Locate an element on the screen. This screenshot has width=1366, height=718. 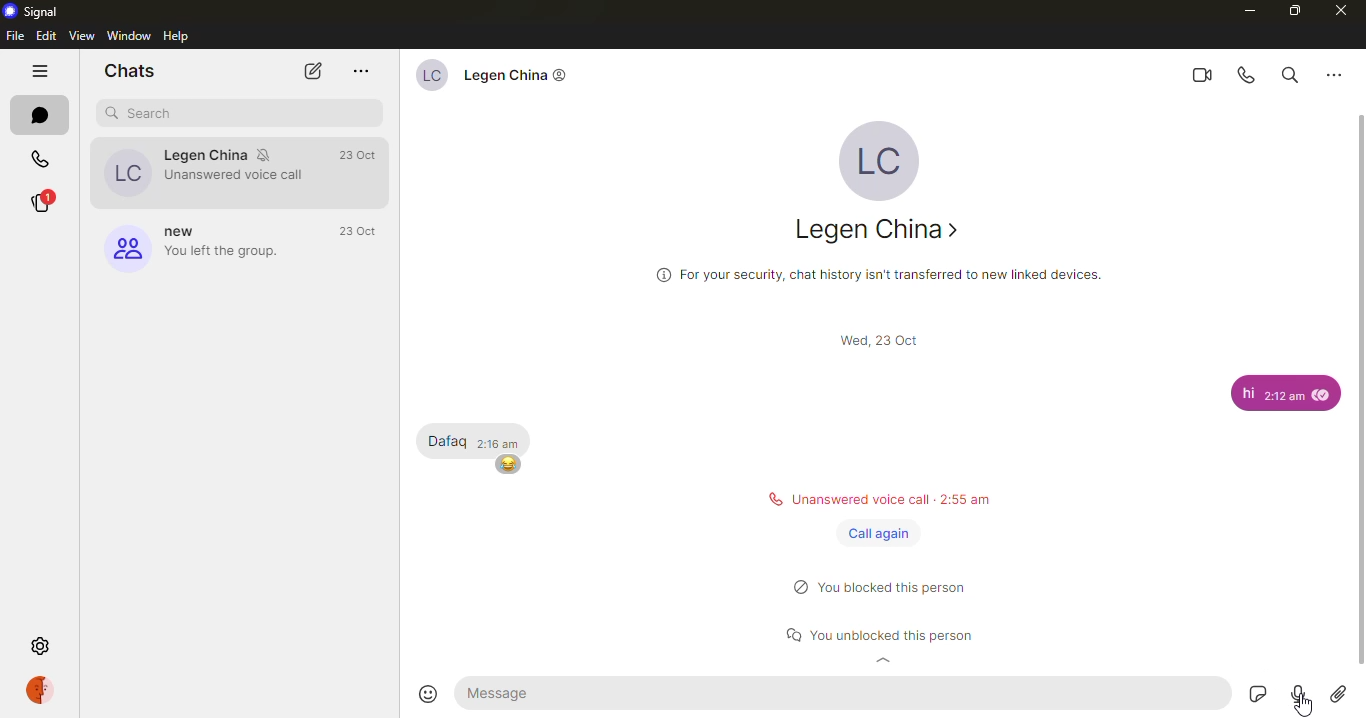
emoji is located at coordinates (420, 691).